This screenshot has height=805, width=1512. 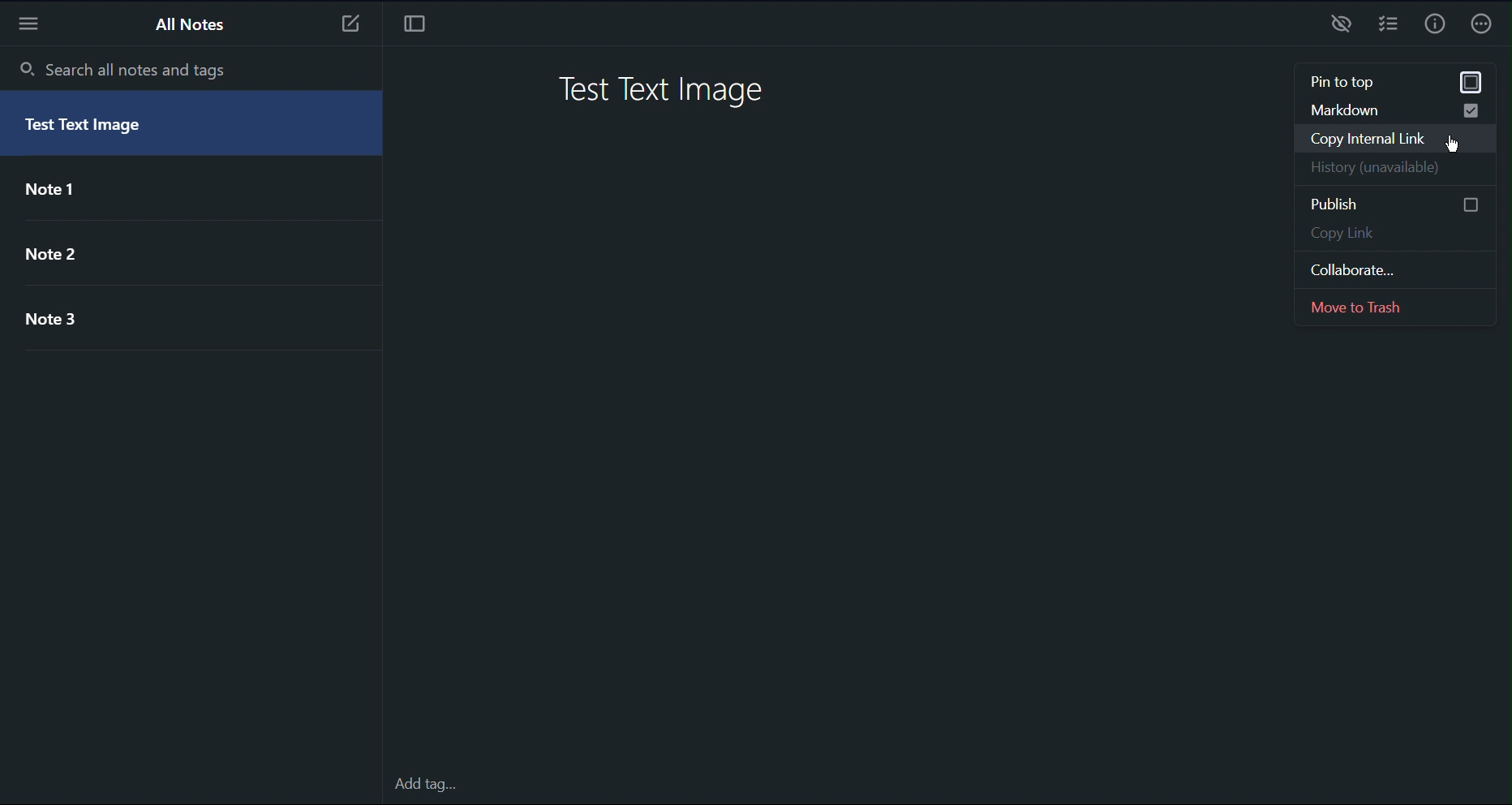 What do you see at coordinates (66, 319) in the screenshot?
I see `Note 3` at bounding box center [66, 319].